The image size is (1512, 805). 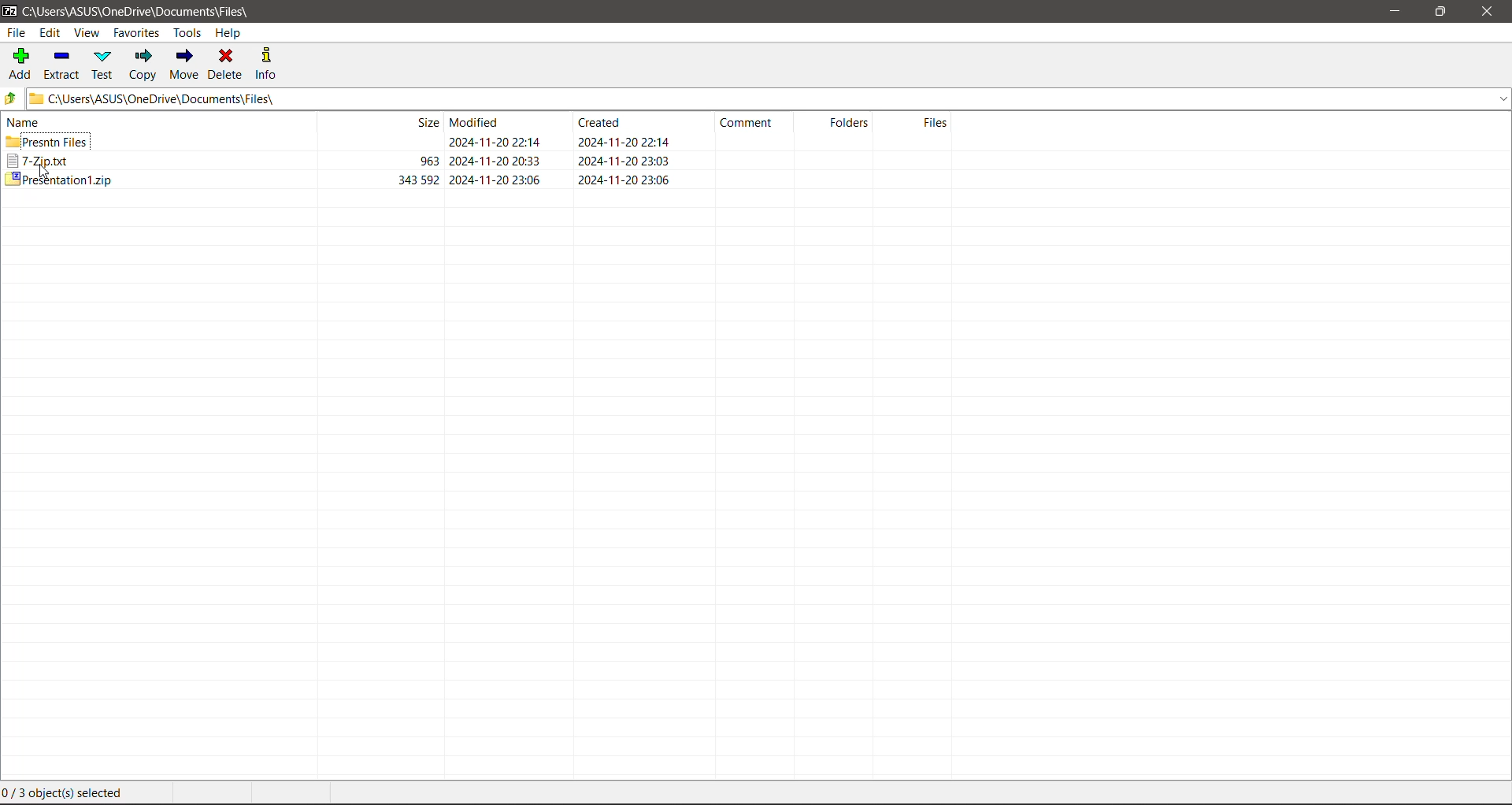 What do you see at coordinates (228, 32) in the screenshot?
I see `Help` at bounding box center [228, 32].